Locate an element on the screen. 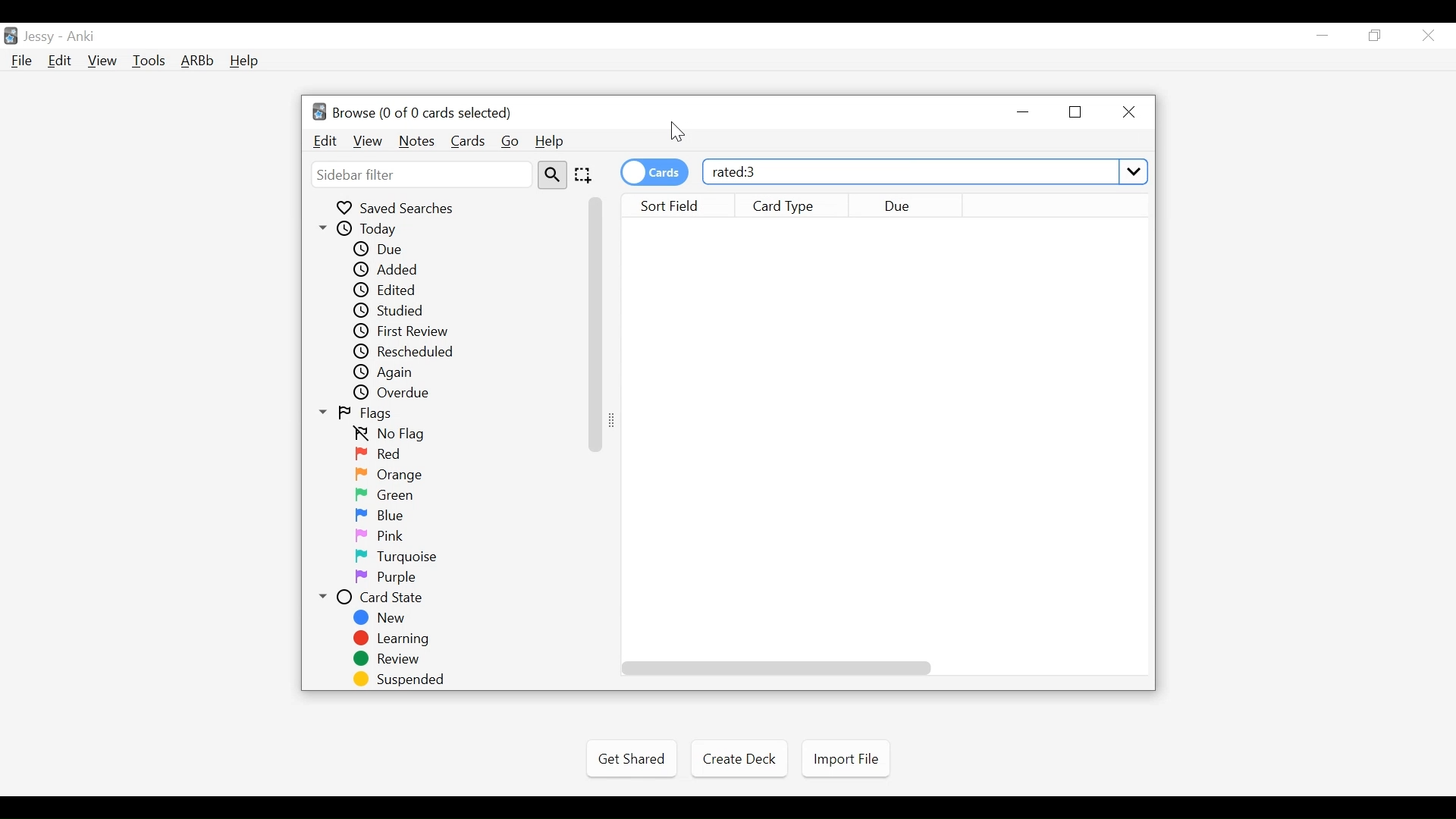 The height and width of the screenshot is (819, 1456). Card Type is located at coordinates (793, 206).